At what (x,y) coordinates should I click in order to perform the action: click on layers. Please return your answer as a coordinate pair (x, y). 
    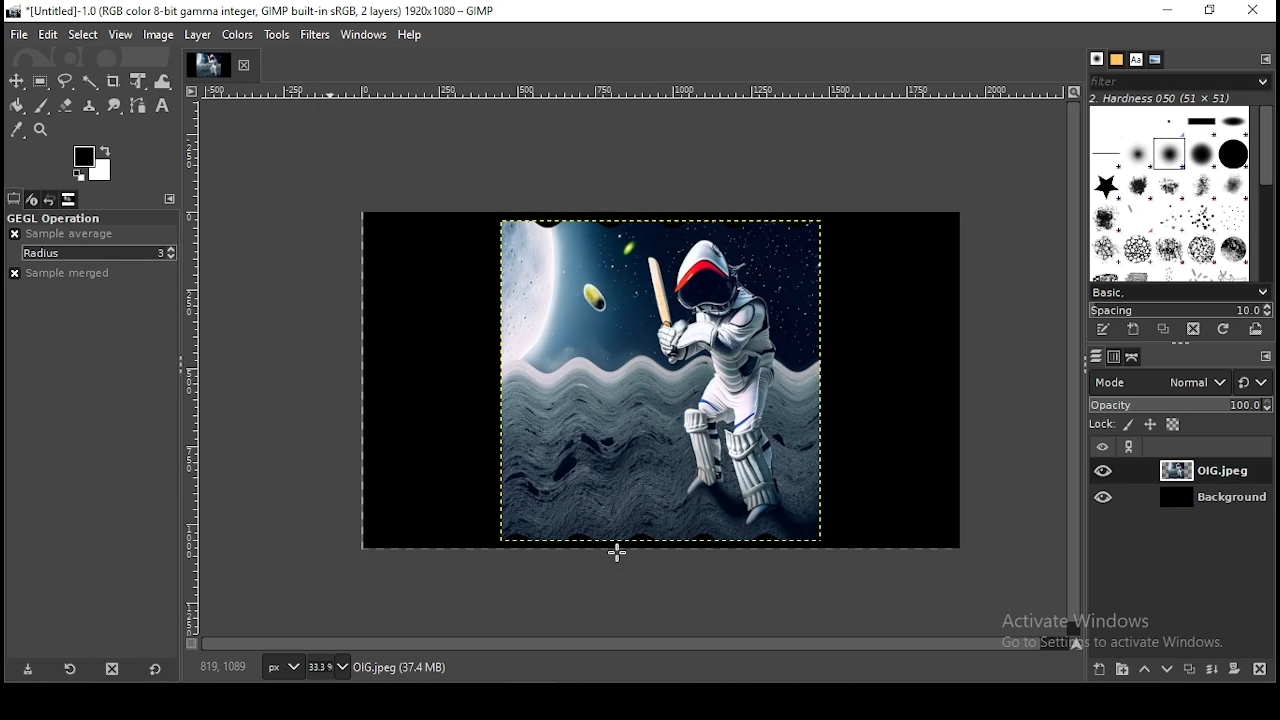
    Looking at the image, I should click on (1096, 357).